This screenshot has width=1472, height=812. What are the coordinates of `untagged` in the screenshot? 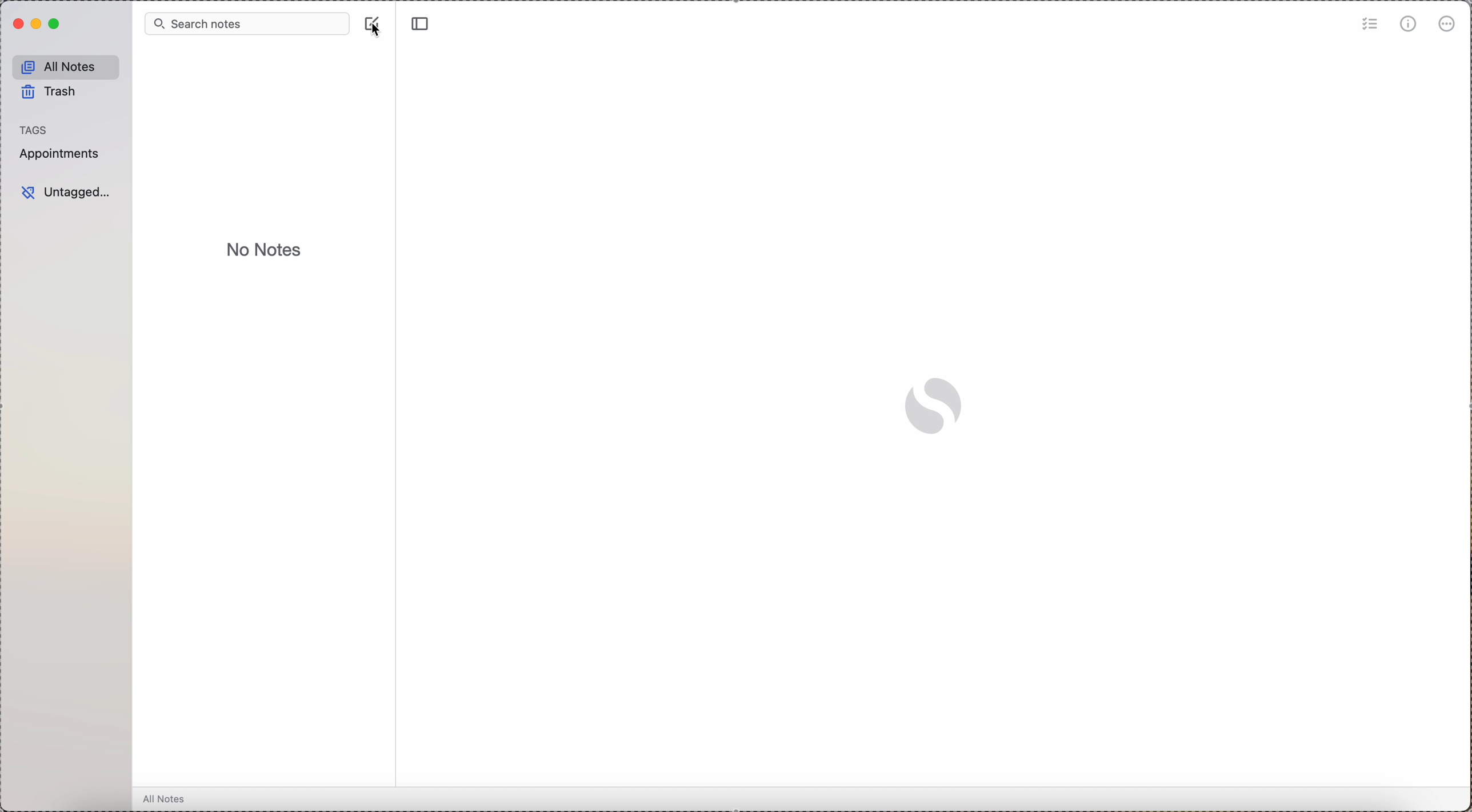 It's located at (68, 191).